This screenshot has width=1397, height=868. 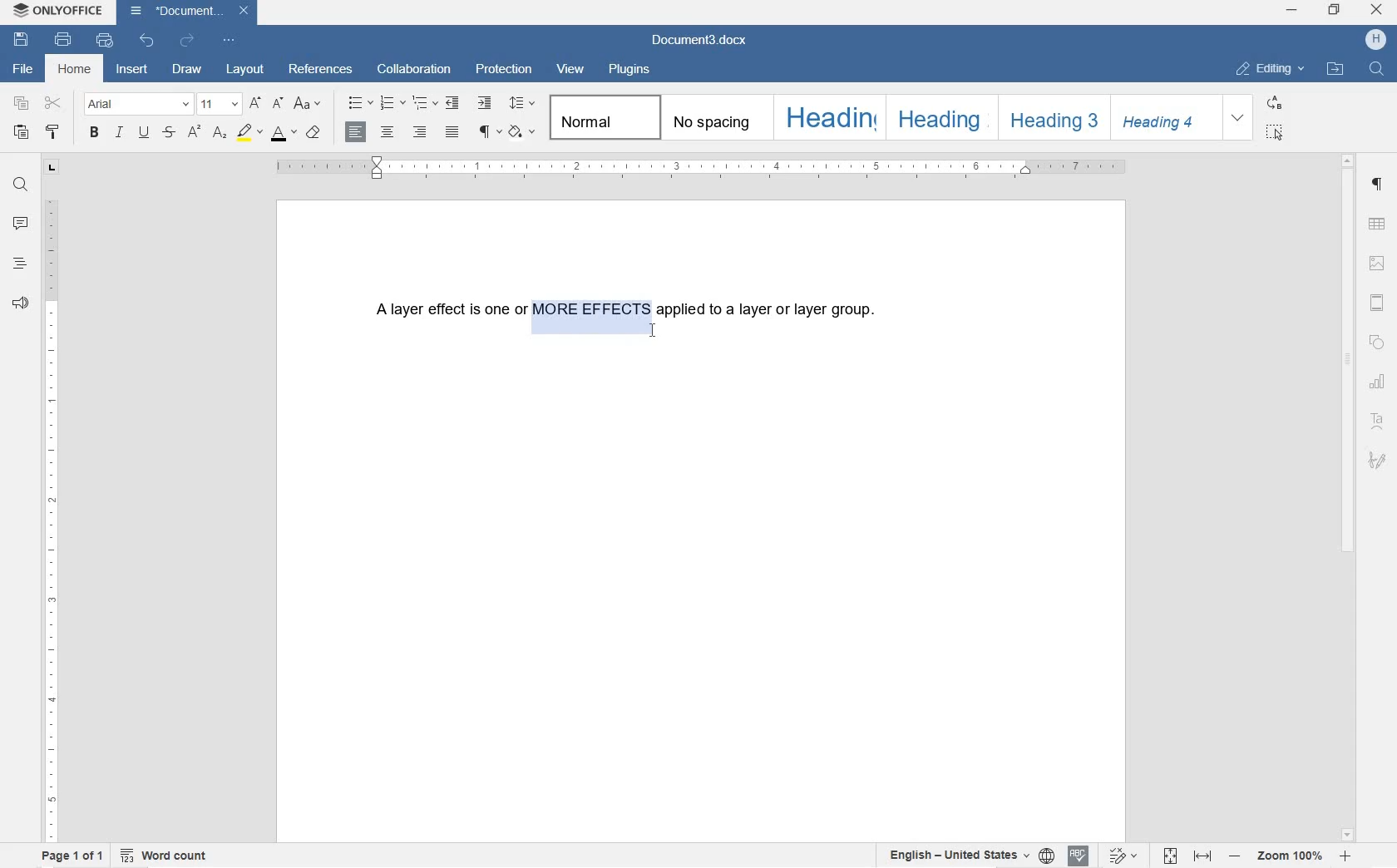 I want to click on SHADING, so click(x=523, y=131).